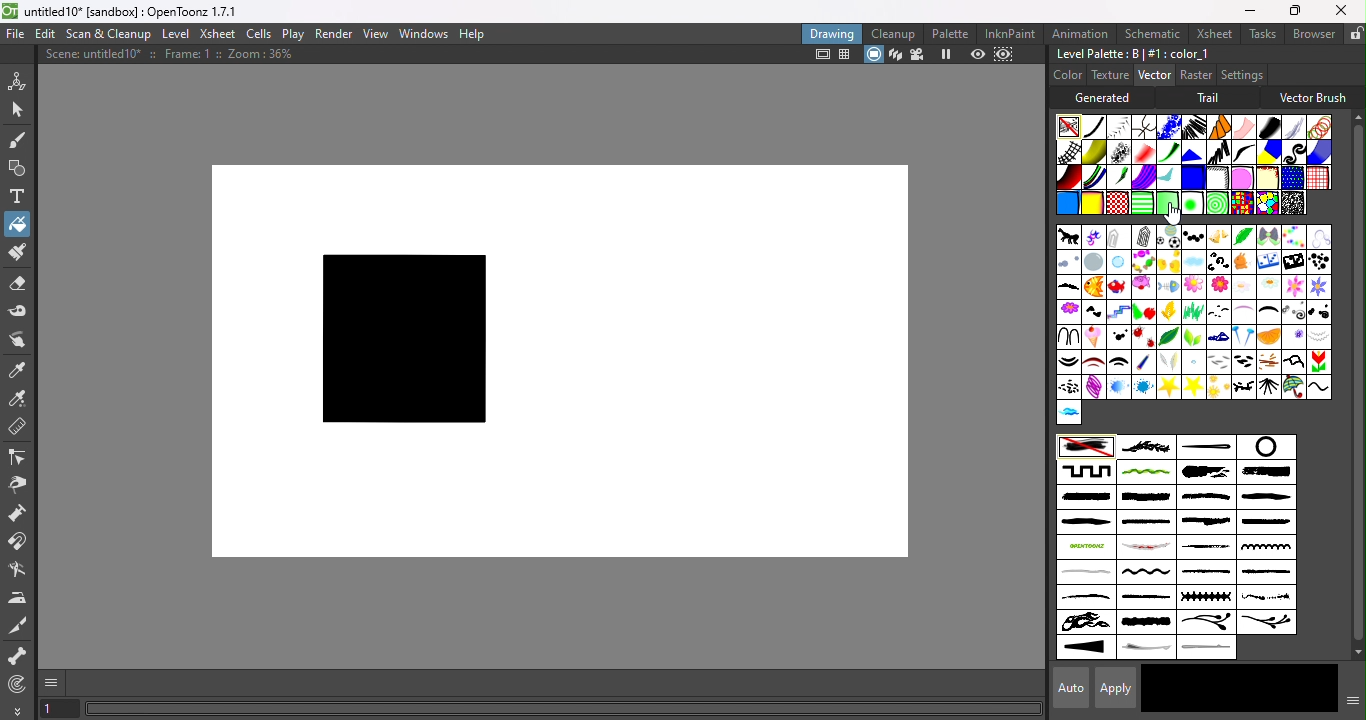  What do you see at coordinates (1196, 76) in the screenshot?
I see `Raster` at bounding box center [1196, 76].